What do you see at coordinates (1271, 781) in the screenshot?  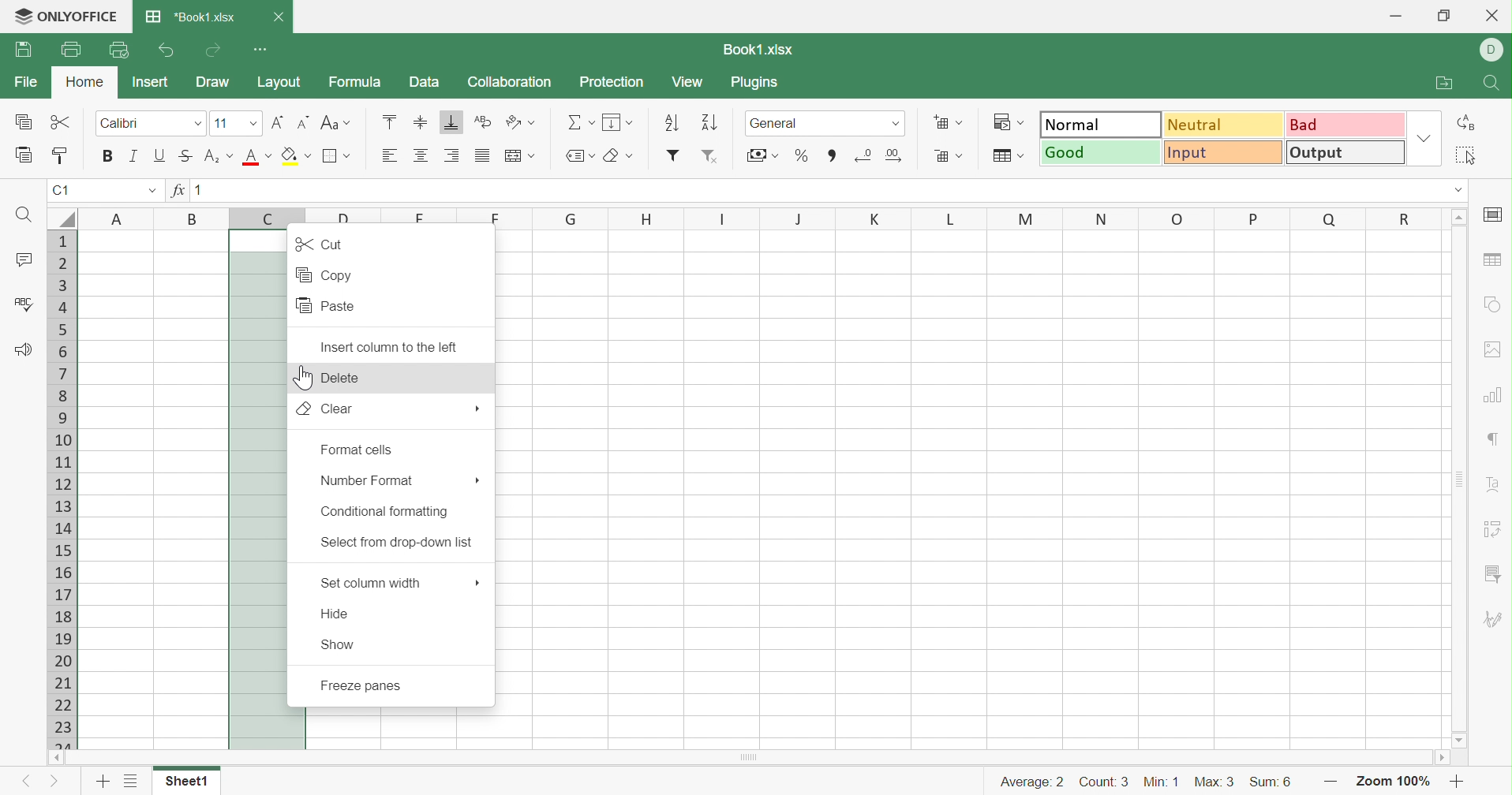 I see `Sum: 6` at bounding box center [1271, 781].